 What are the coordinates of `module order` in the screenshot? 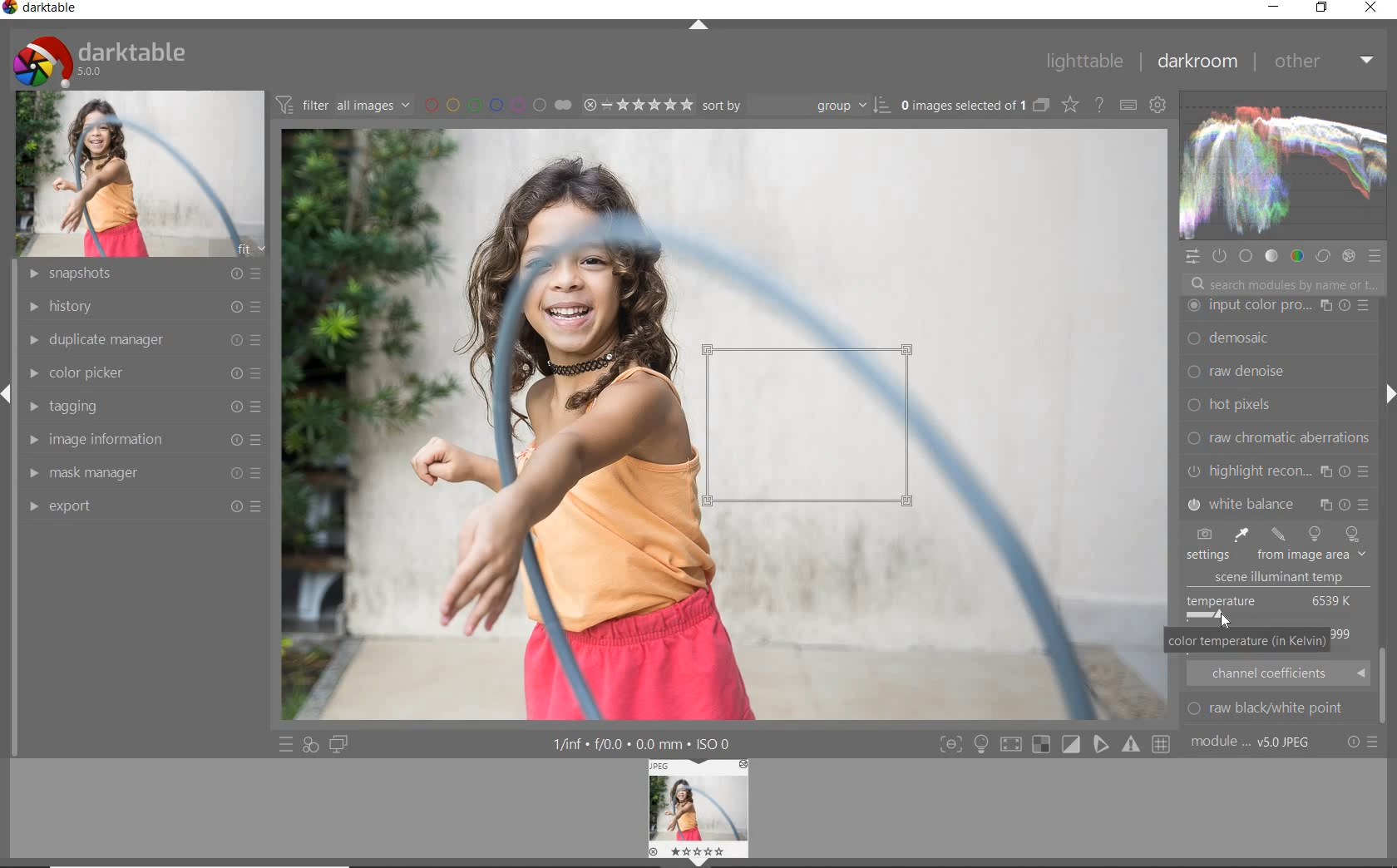 It's located at (1253, 743).